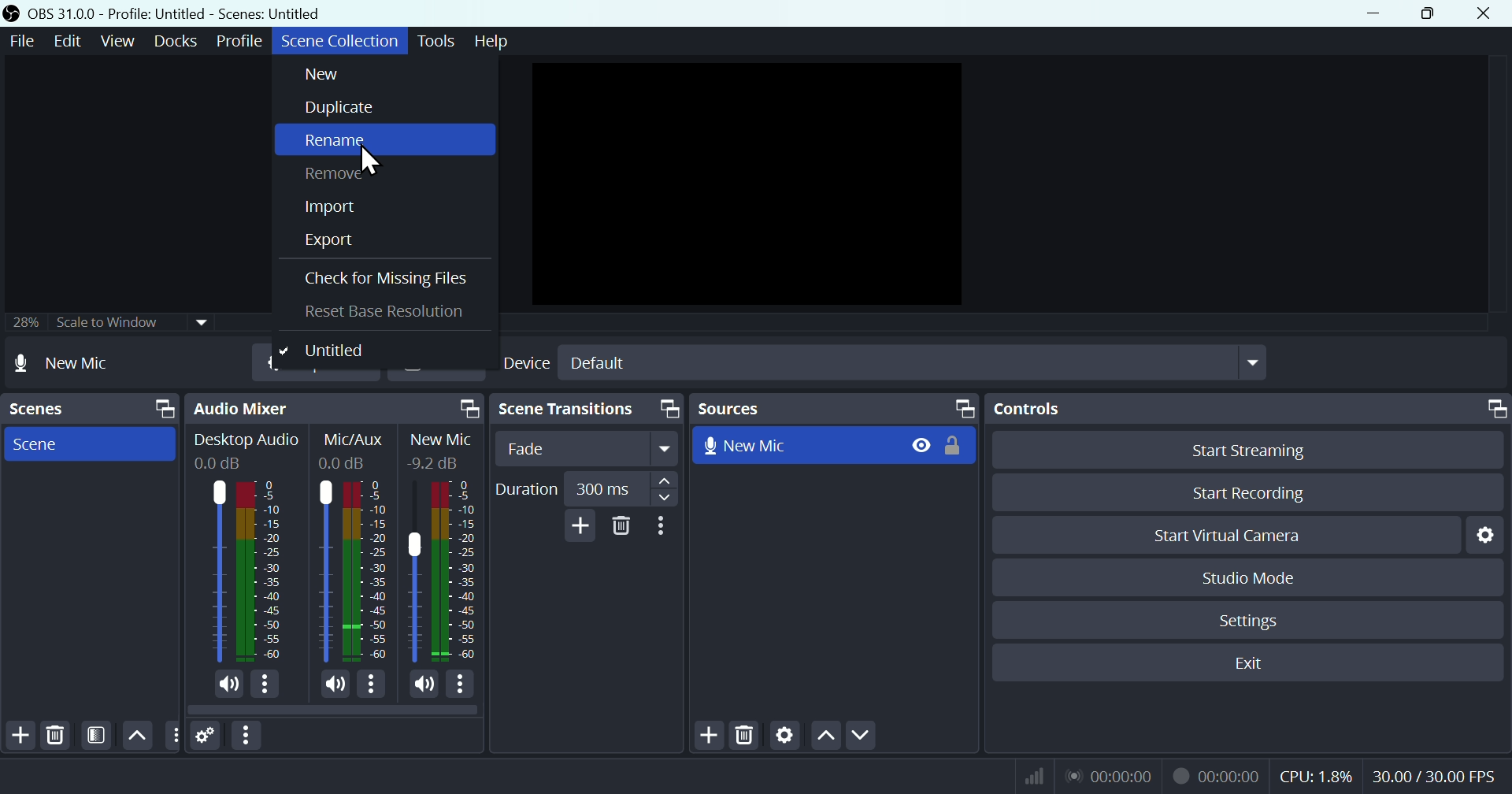  Describe the element at coordinates (588, 406) in the screenshot. I see `scene Transitions` at that location.